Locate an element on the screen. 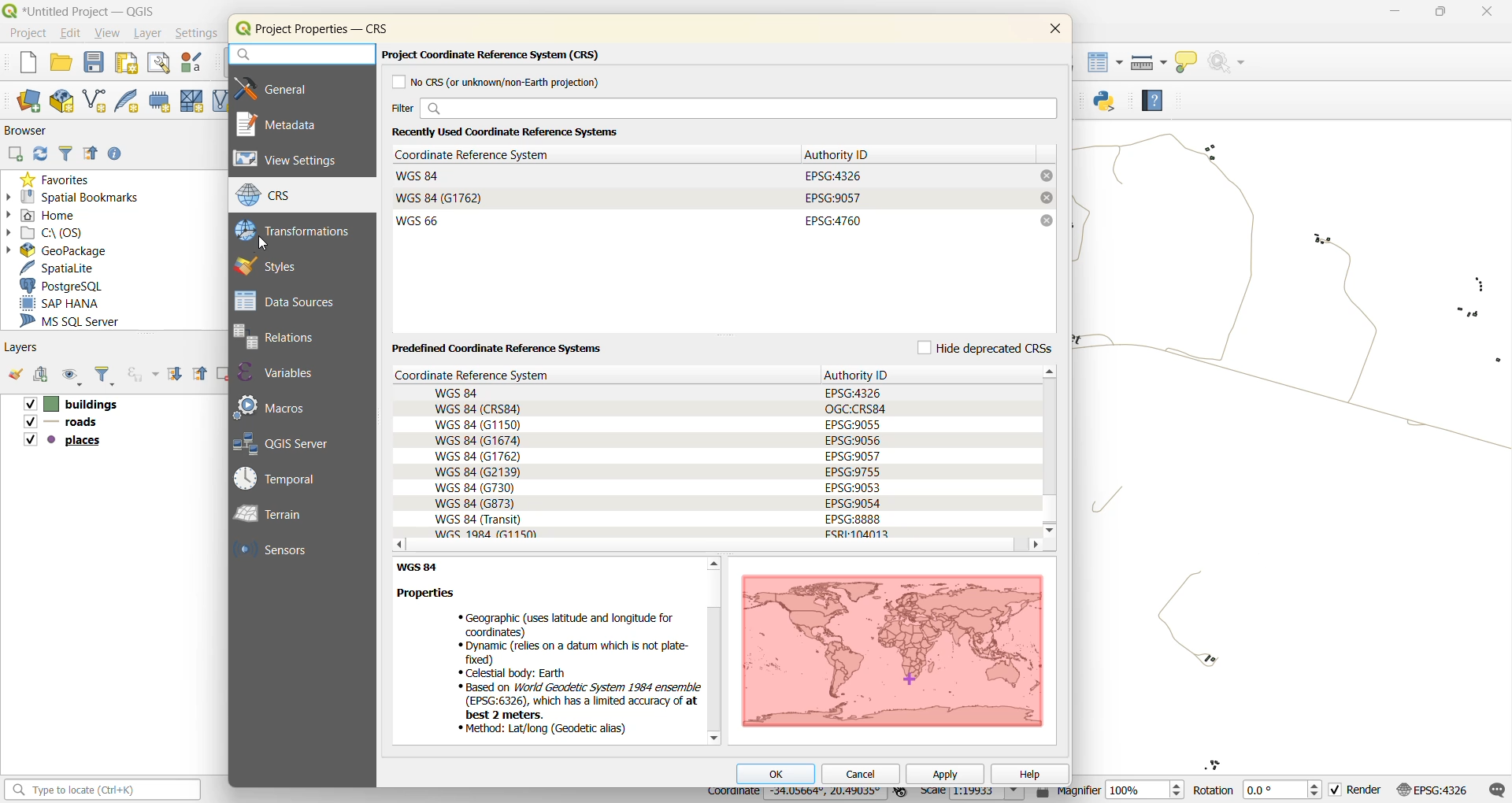 The height and width of the screenshot is (803, 1512). favorites is located at coordinates (62, 178).